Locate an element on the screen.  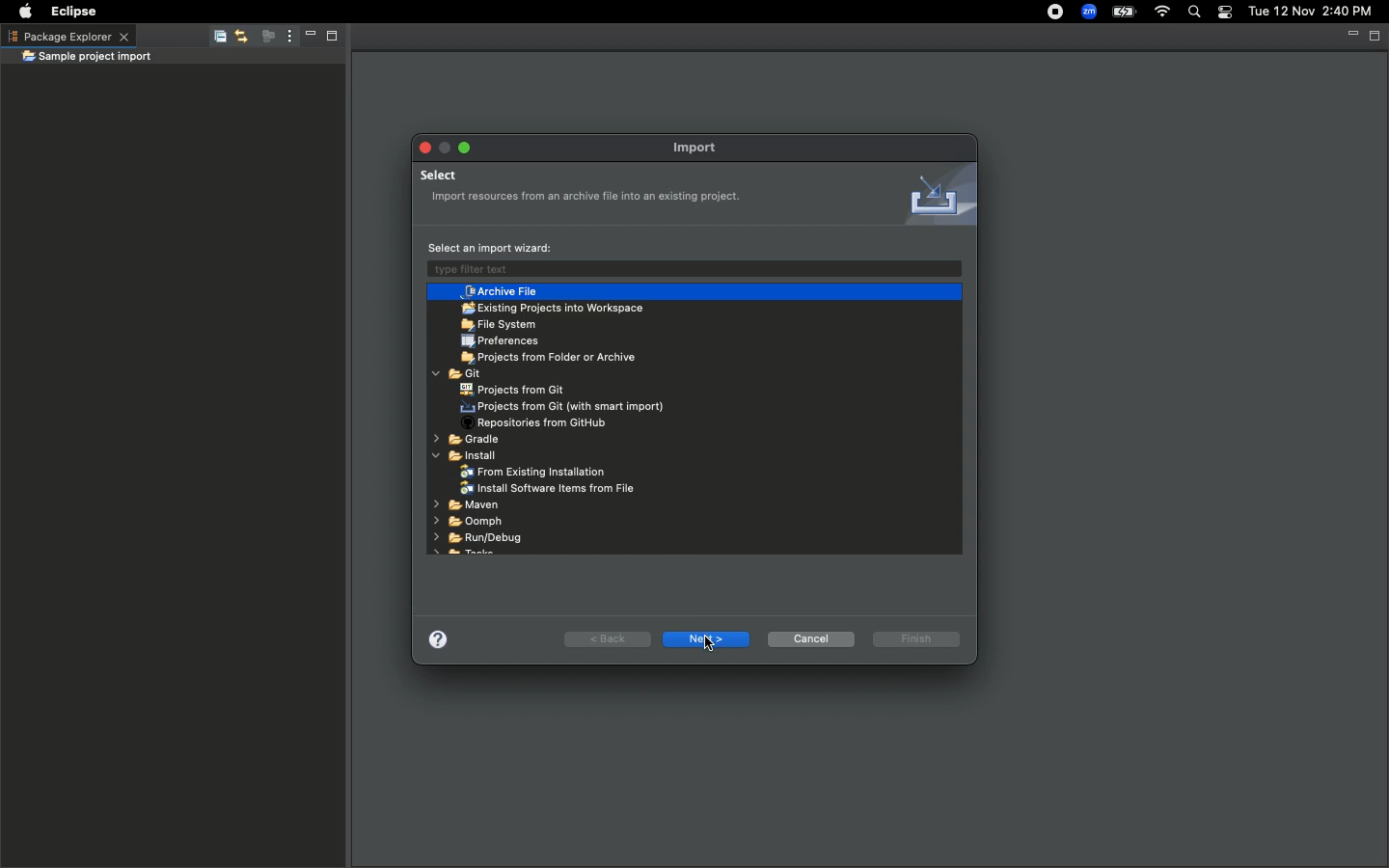
RuryDebug is located at coordinates (477, 537).